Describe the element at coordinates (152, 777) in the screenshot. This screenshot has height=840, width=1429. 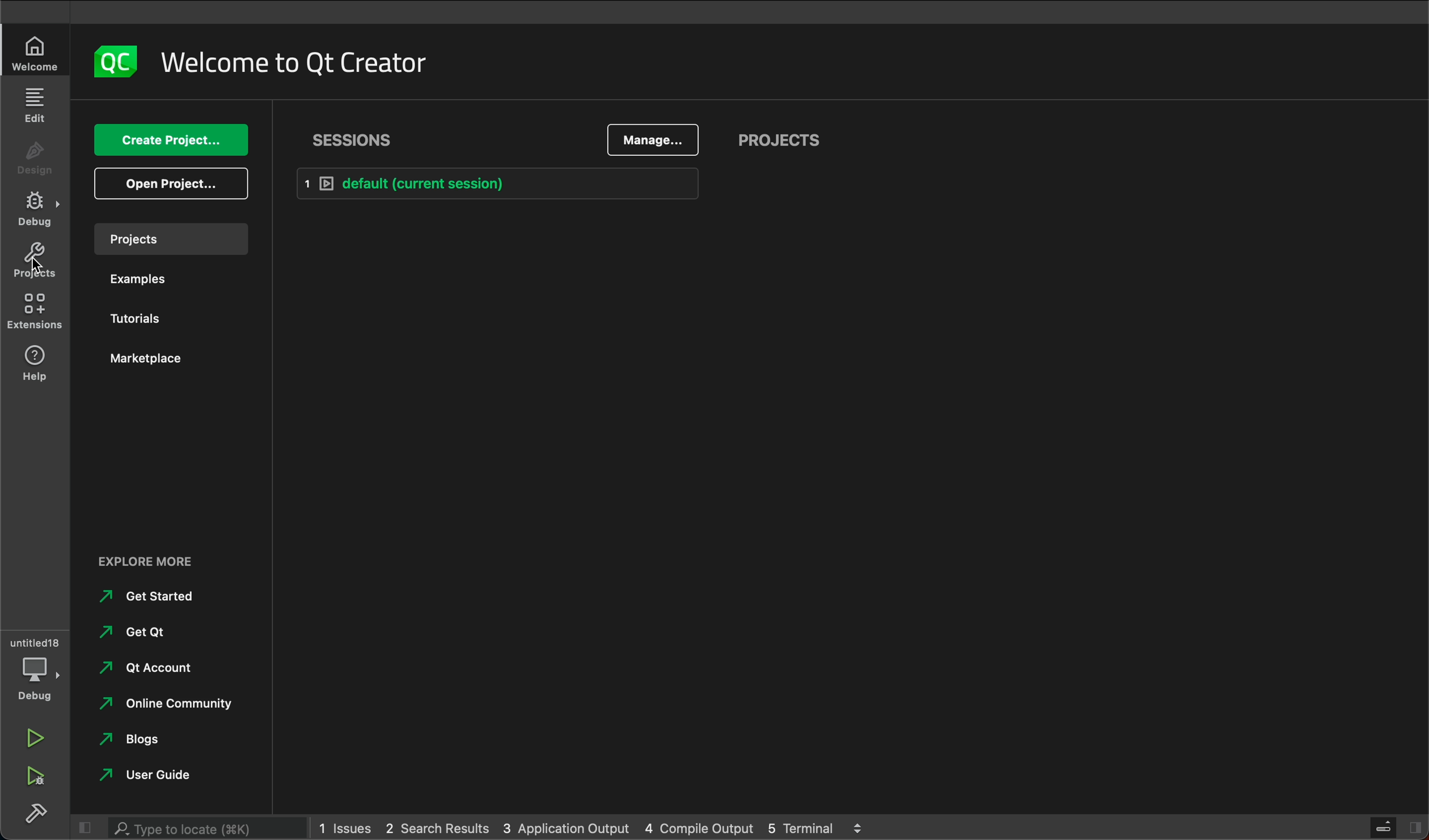
I see `User Guide` at that location.